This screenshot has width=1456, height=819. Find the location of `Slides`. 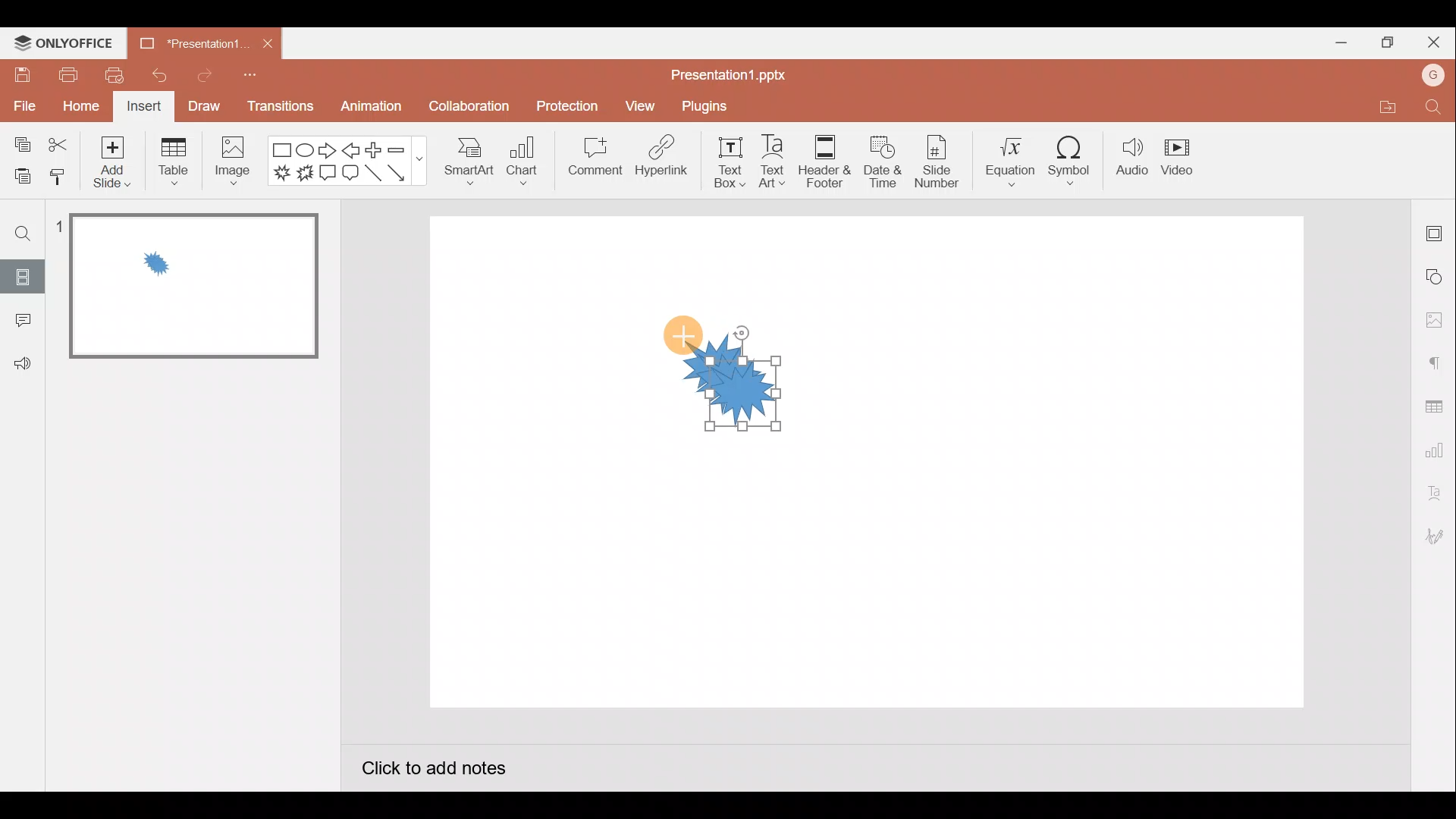

Slides is located at coordinates (21, 277).